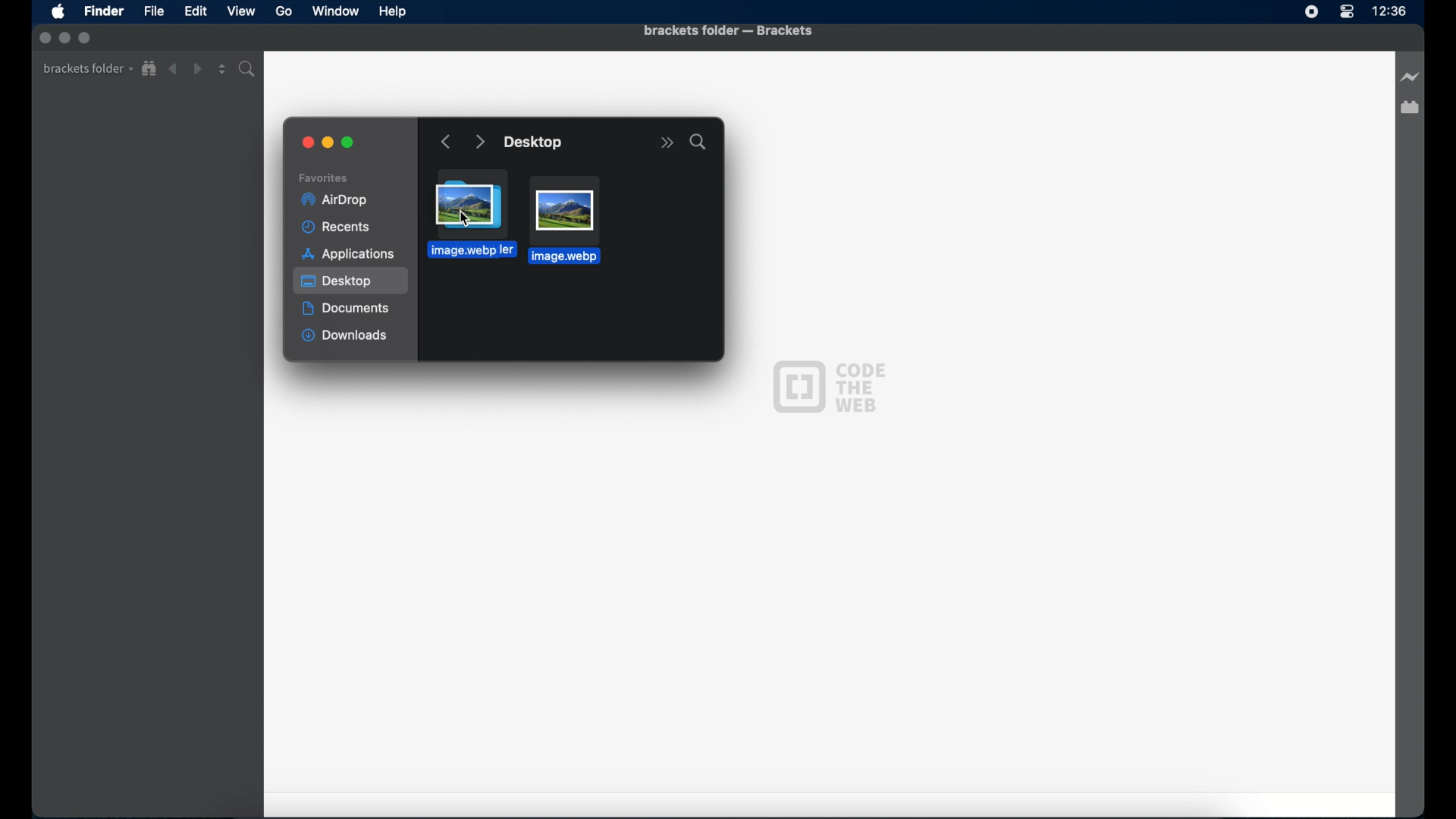  Describe the element at coordinates (698, 142) in the screenshot. I see `search` at that location.